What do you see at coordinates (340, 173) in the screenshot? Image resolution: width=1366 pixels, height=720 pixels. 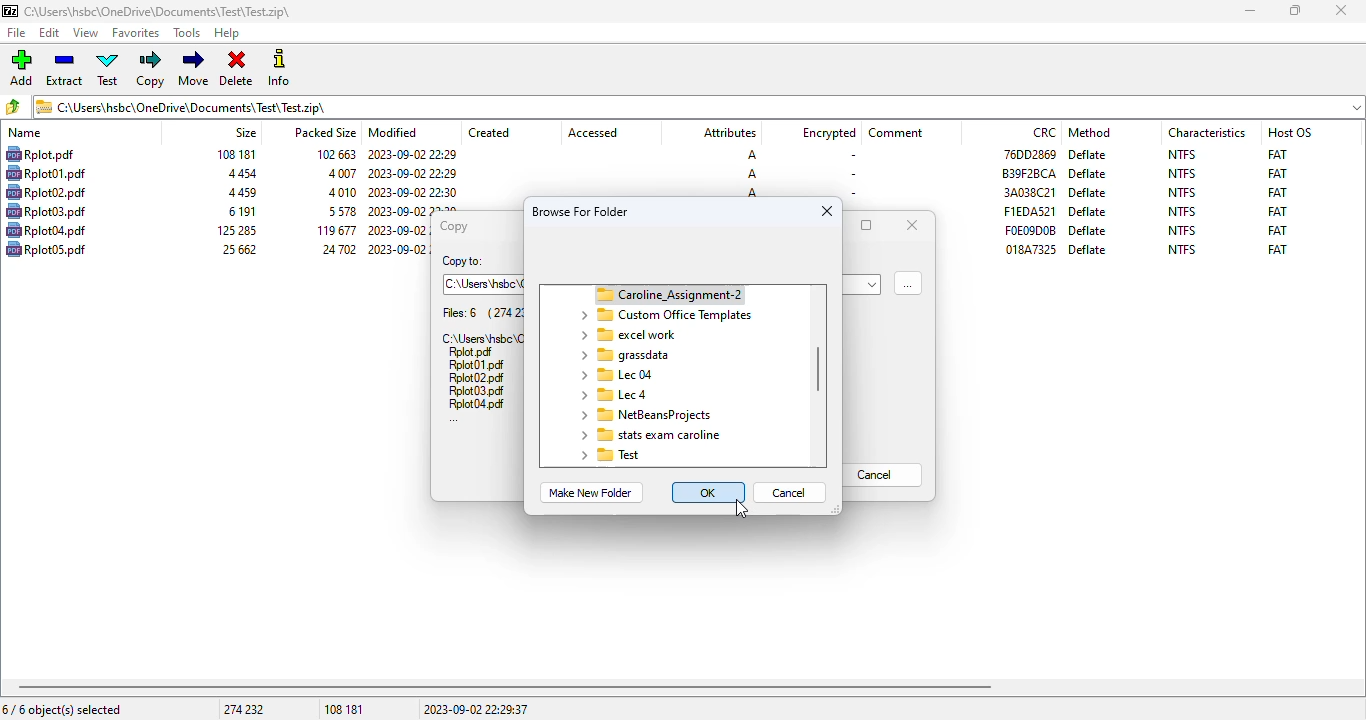 I see `packed size` at bounding box center [340, 173].